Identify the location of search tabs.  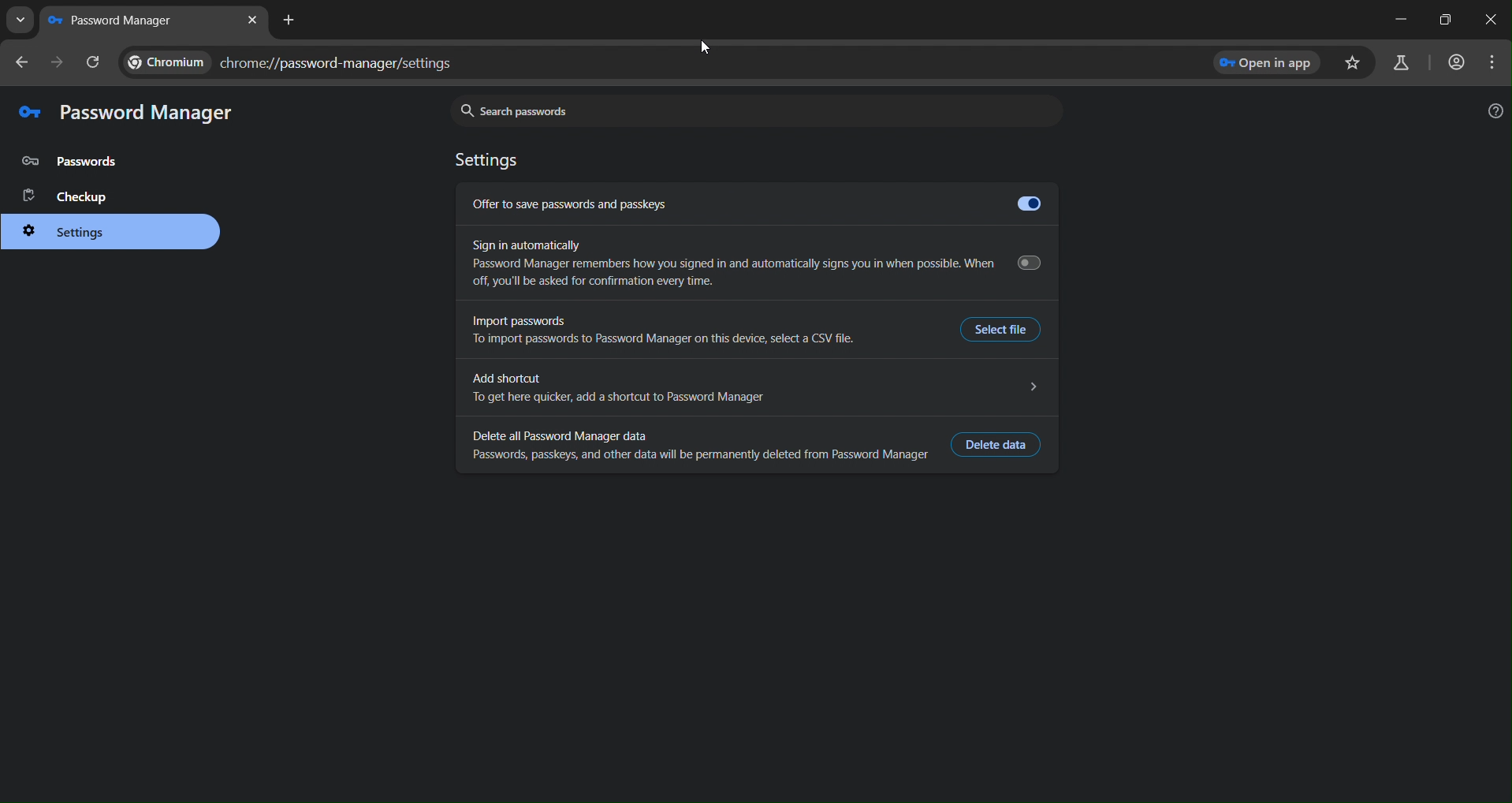
(20, 21).